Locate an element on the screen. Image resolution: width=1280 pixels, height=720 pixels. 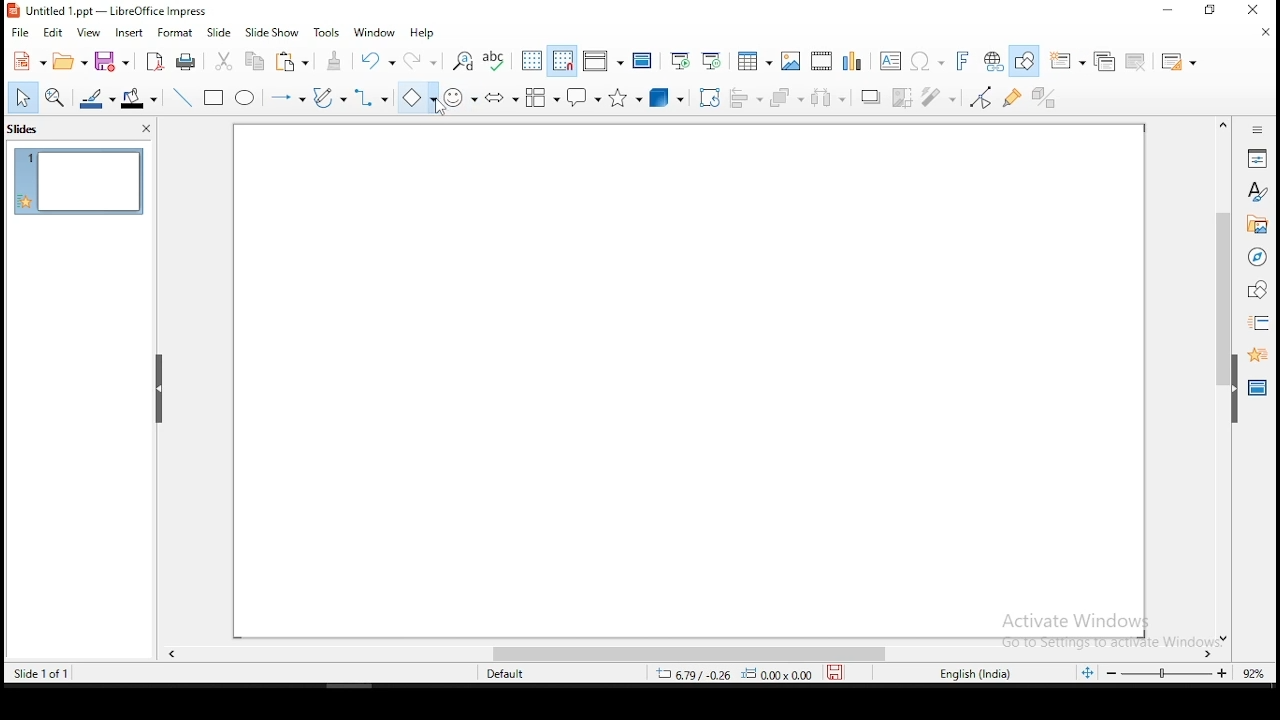
stars and banners is located at coordinates (624, 98).